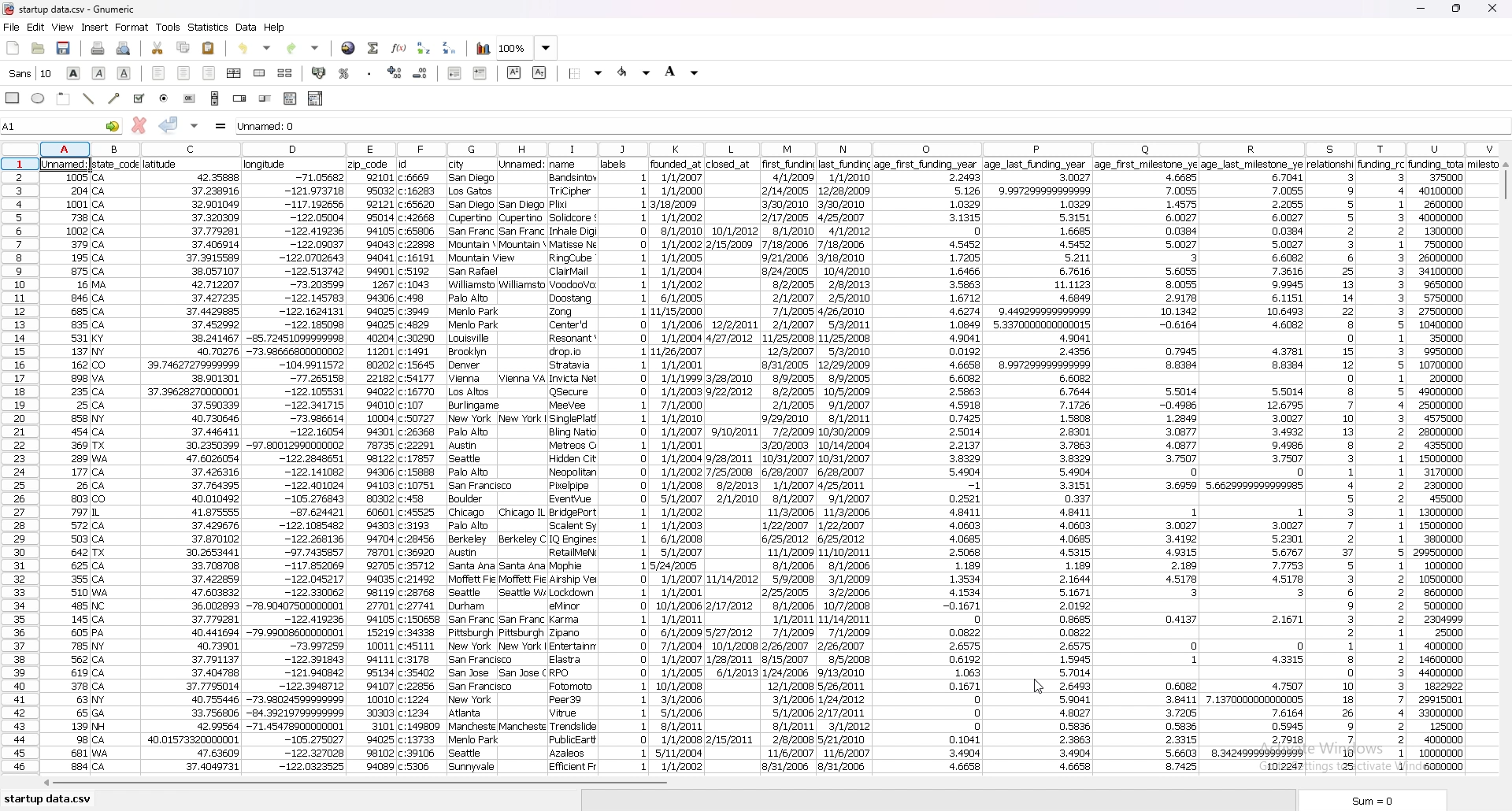 This screenshot has height=811, width=1512. I want to click on data, so click(790, 468).